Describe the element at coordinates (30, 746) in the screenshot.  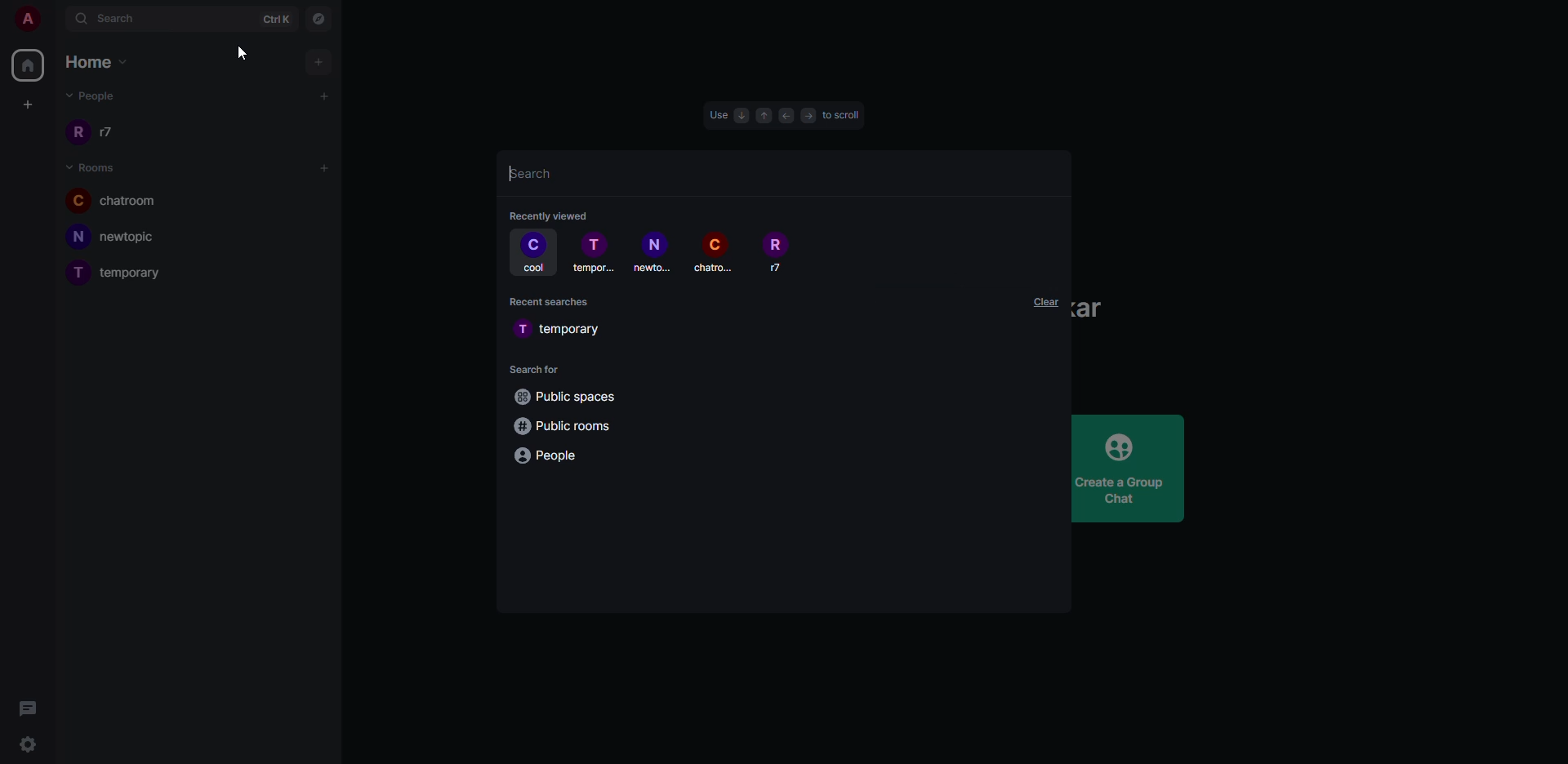
I see `settings` at that location.